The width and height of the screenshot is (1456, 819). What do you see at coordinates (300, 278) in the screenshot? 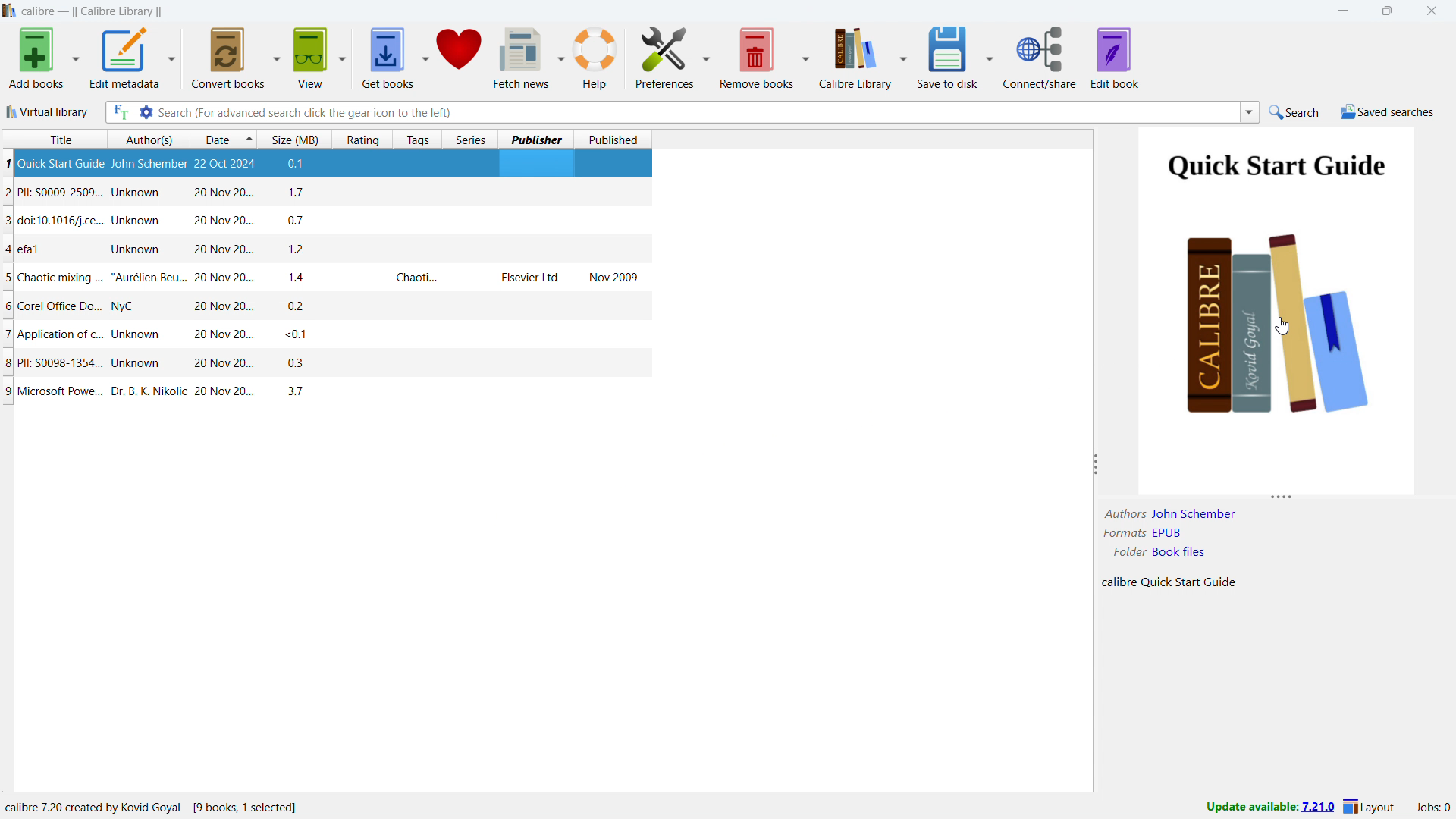
I see `1.4` at bounding box center [300, 278].